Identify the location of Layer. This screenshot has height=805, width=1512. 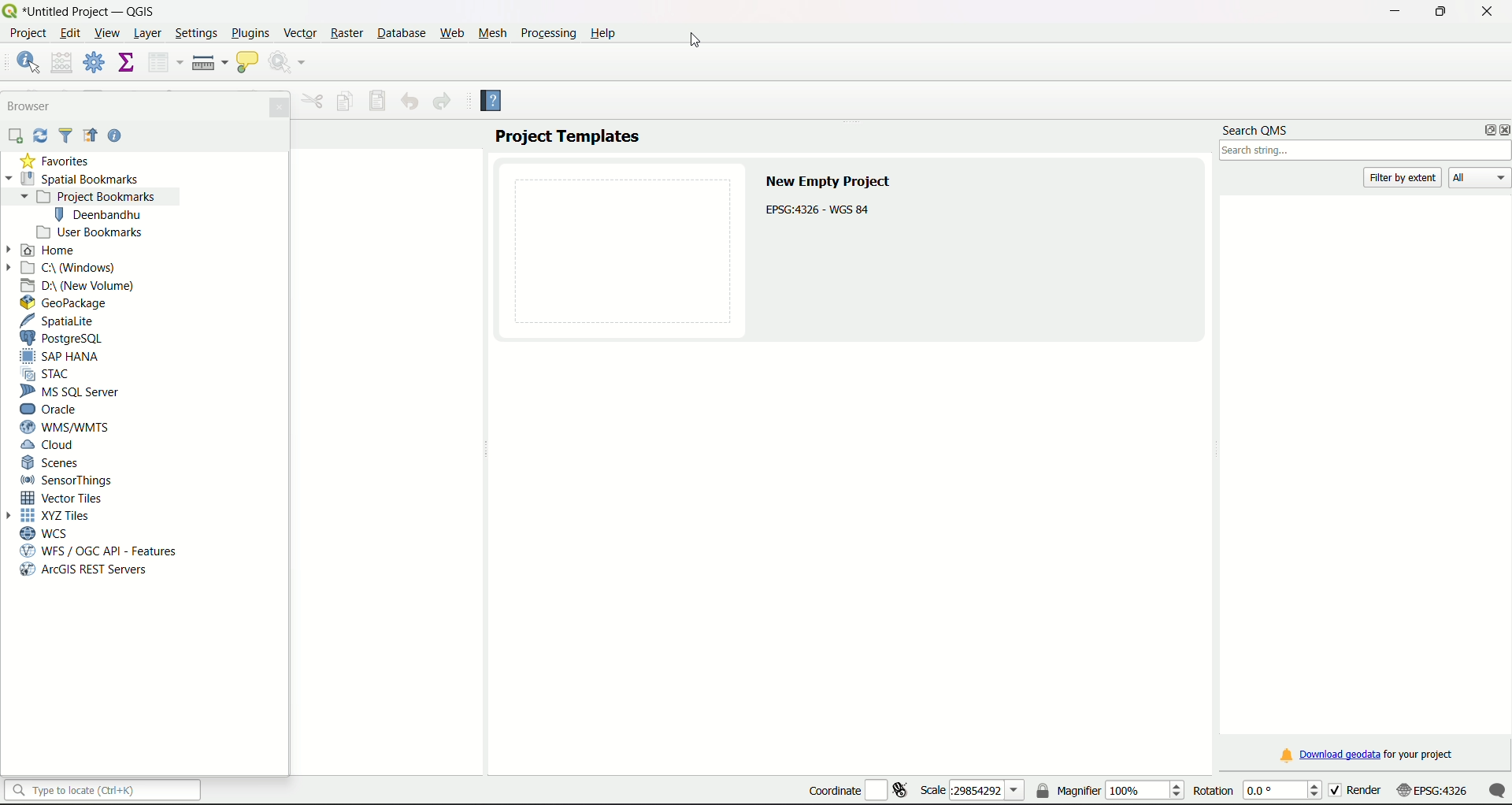
(148, 35).